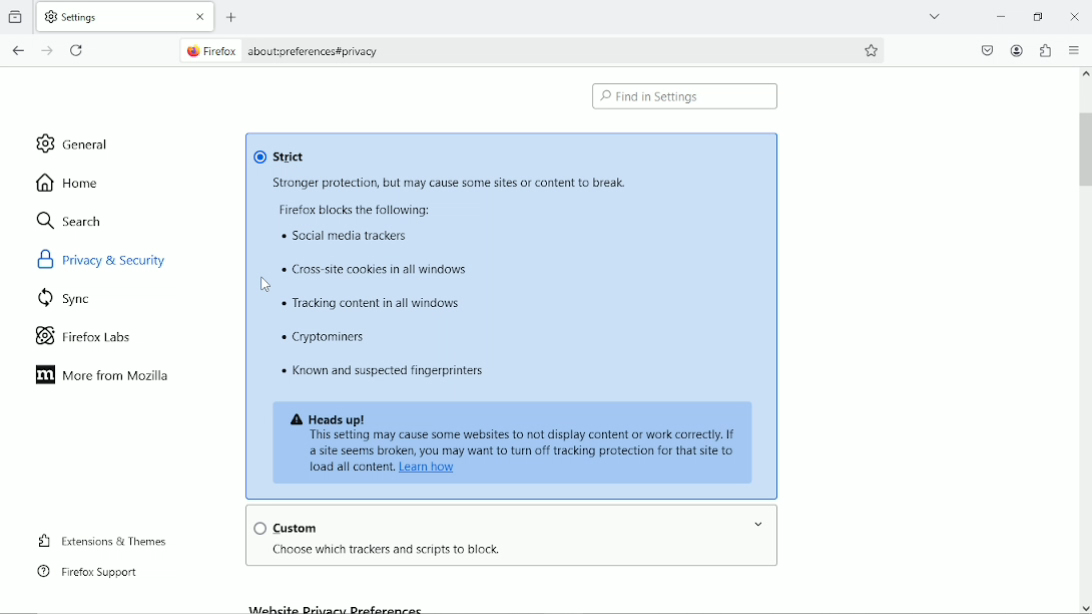 The image size is (1092, 614). What do you see at coordinates (1075, 15) in the screenshot?
I see `Close` at bounding box center [1075, 15].